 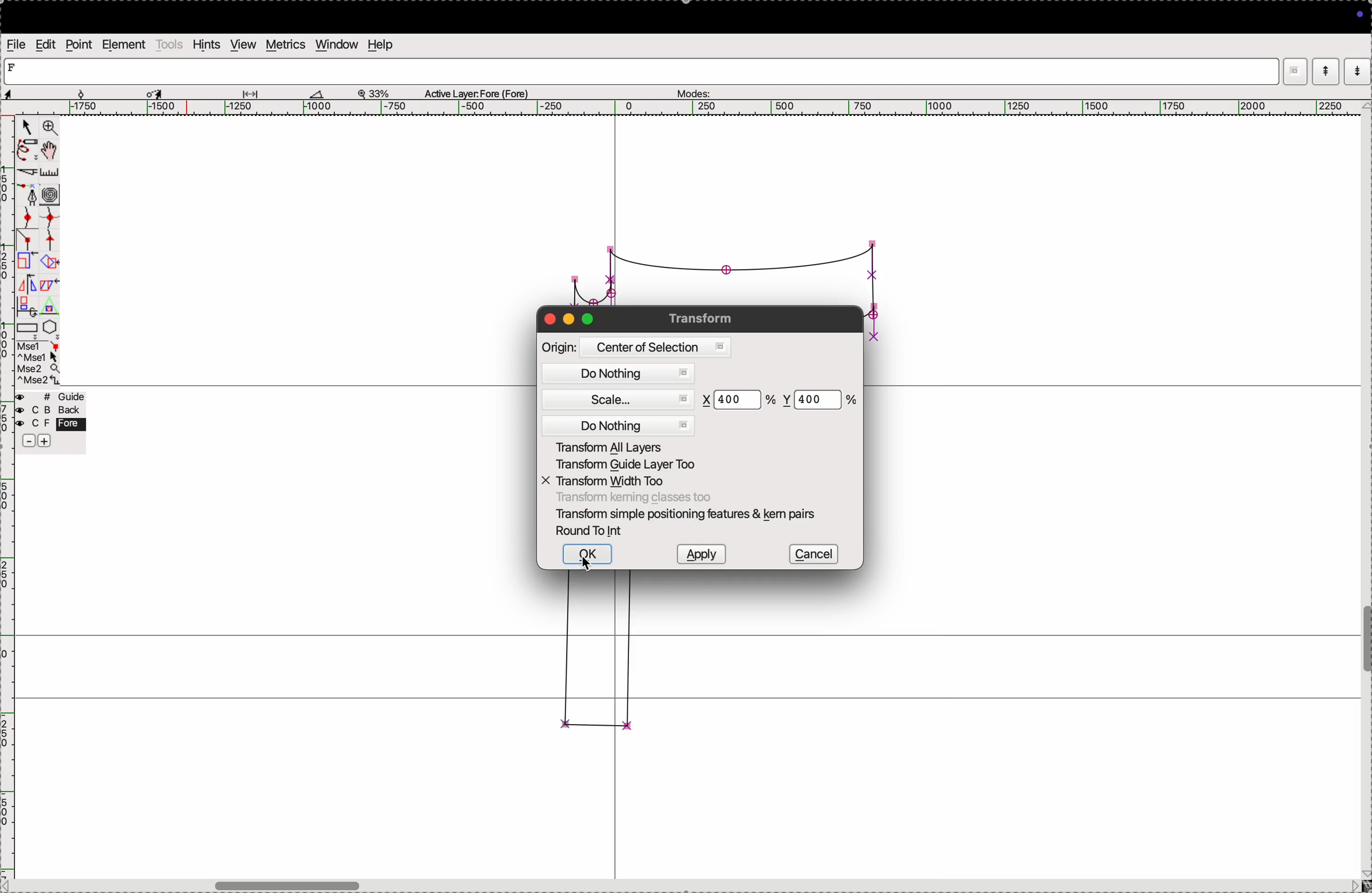 What do you see at coordinates (54, 397) in the screenshot?
I see `guide` at bounding box center [54, 397].